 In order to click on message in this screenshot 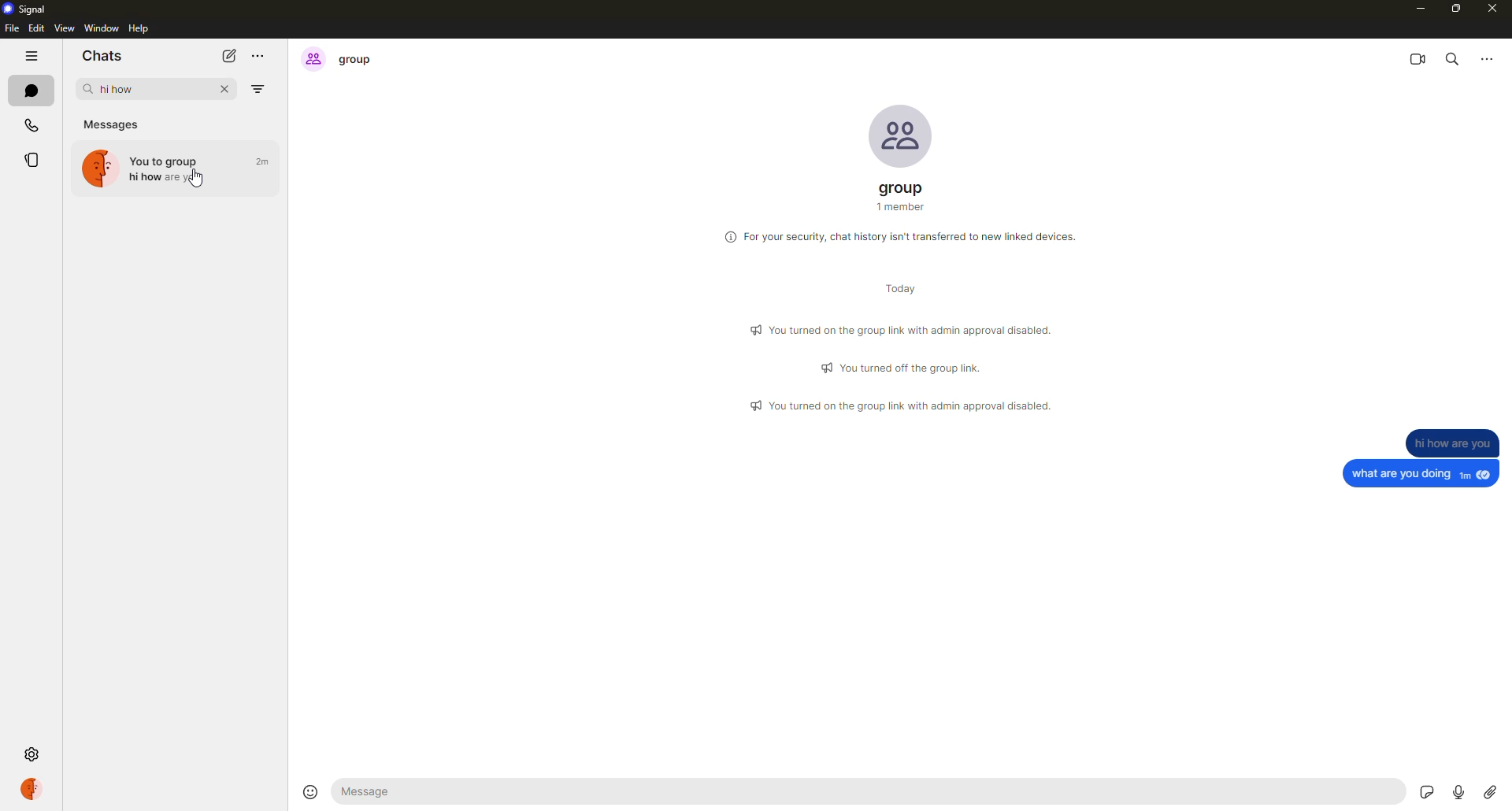, I will do `click(375, 792)`.